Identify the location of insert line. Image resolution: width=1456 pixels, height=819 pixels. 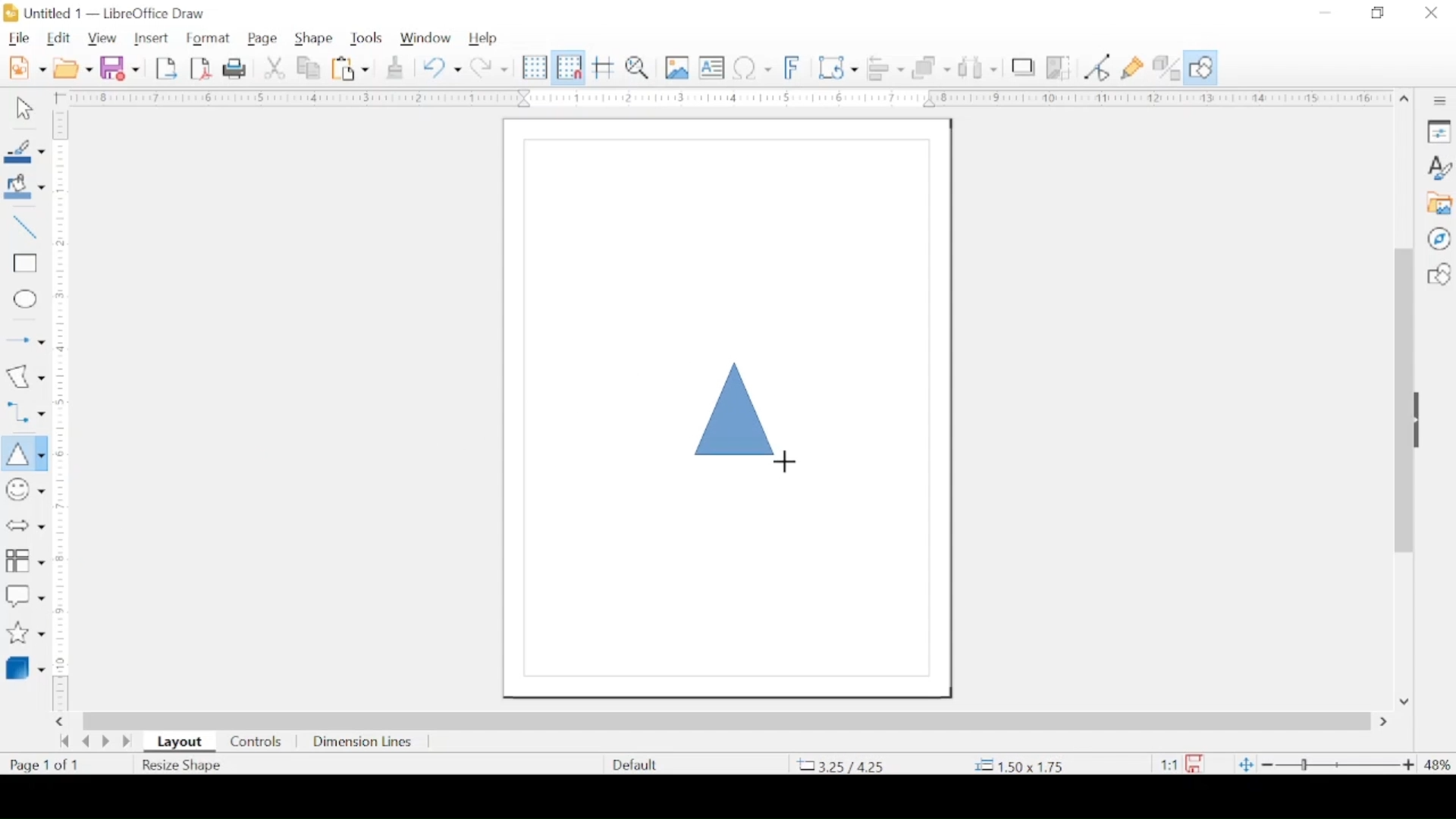
(24, 228).